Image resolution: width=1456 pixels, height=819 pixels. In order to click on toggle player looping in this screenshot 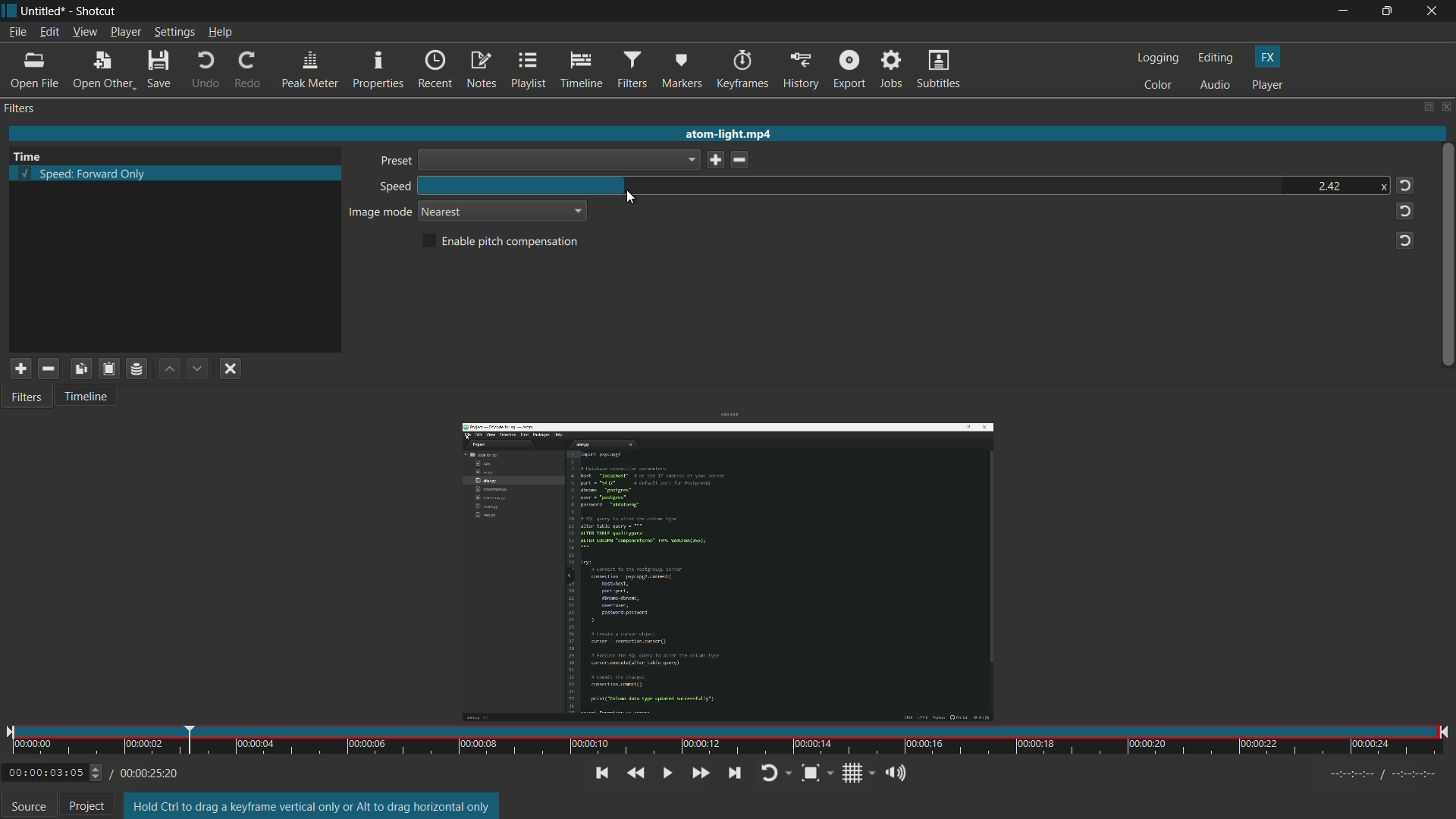, I will do `click(776, 773)`.